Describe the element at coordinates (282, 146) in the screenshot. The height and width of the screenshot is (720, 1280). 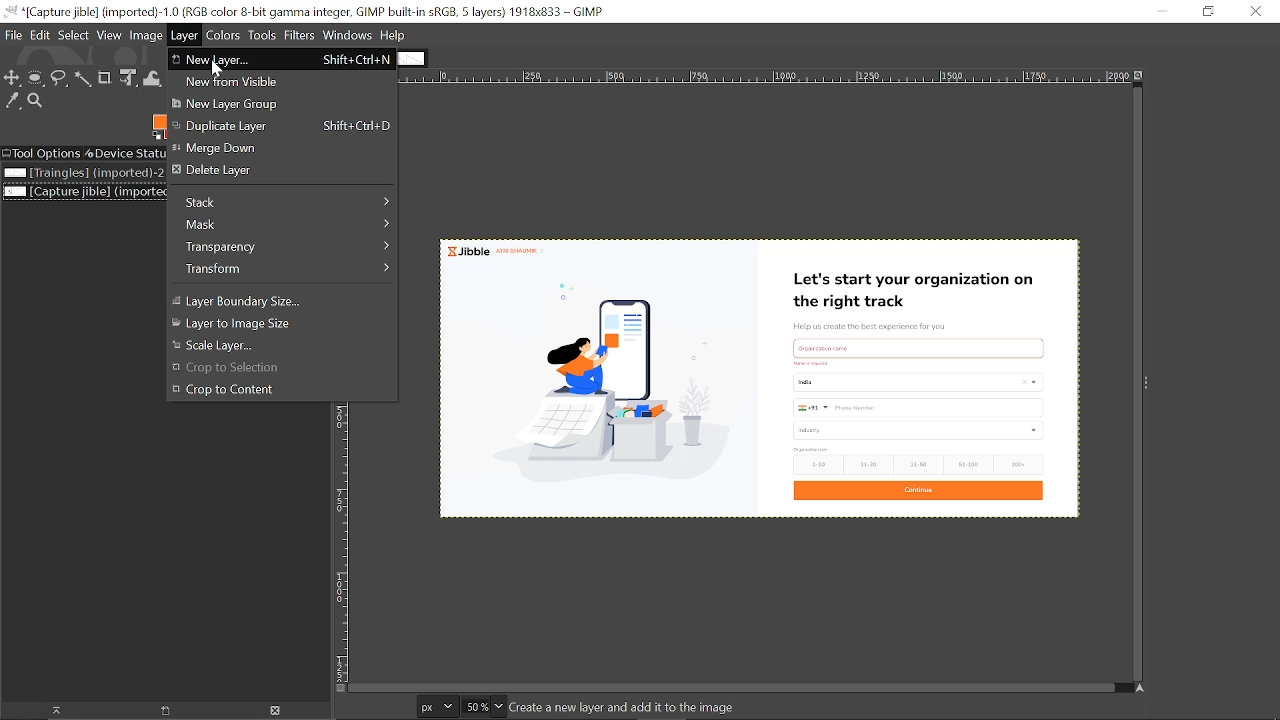
I see `Merge down` at that location.